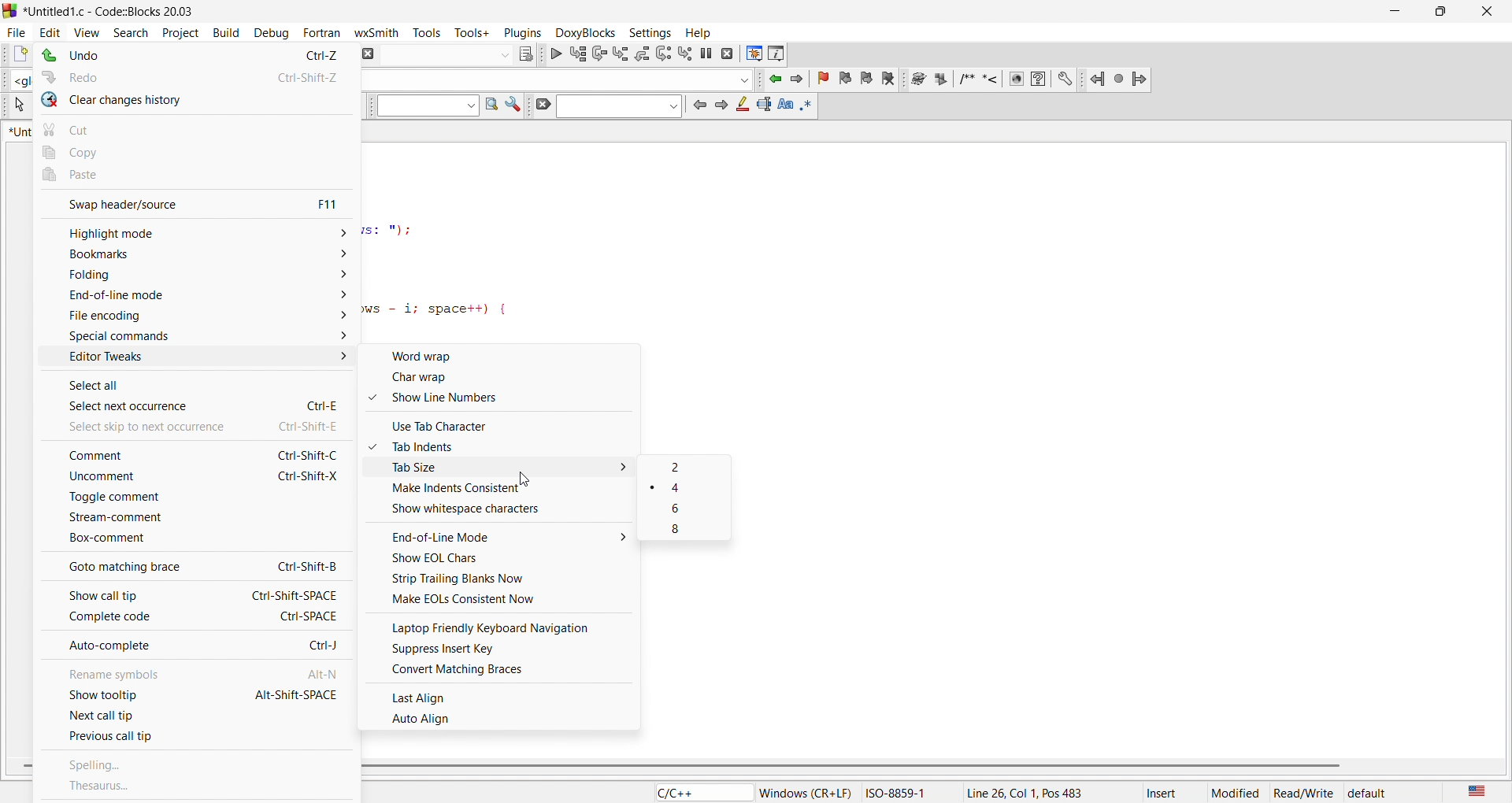  I want to click on clear changes history, so click(195, 102).